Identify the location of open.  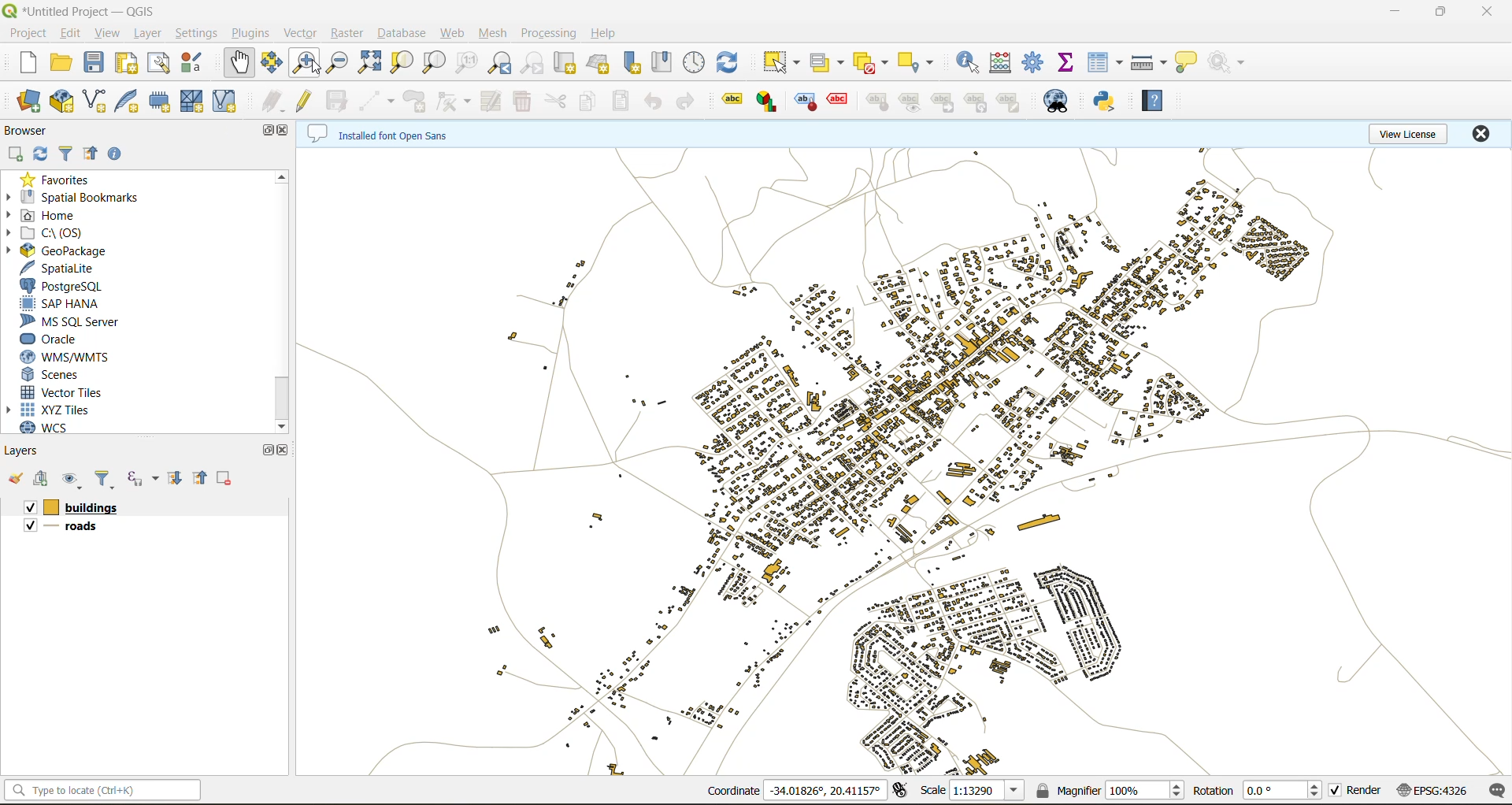
(15, 480).